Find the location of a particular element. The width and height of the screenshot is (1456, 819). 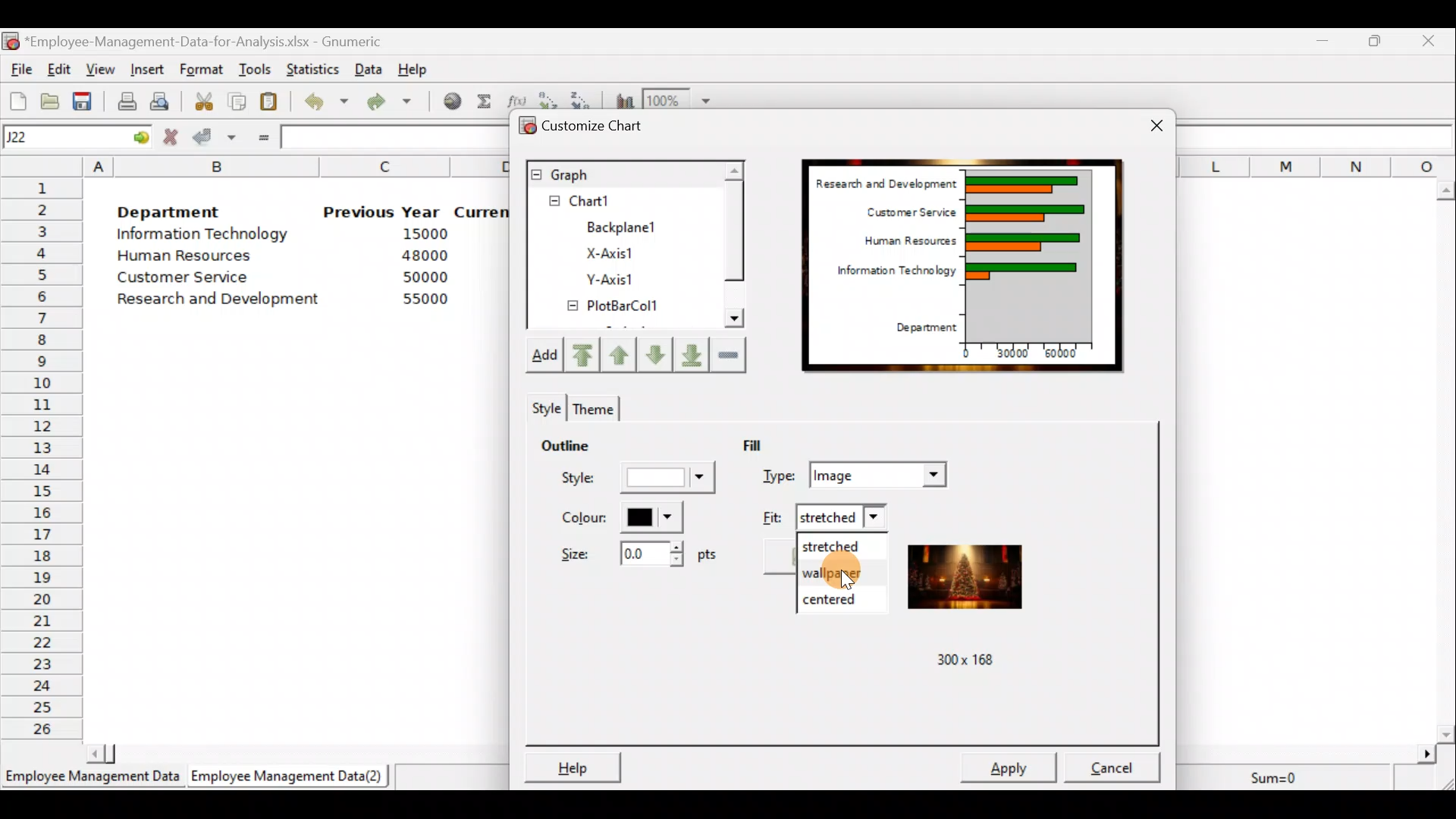

Save the current workbook is located at coordinates (83, 99).